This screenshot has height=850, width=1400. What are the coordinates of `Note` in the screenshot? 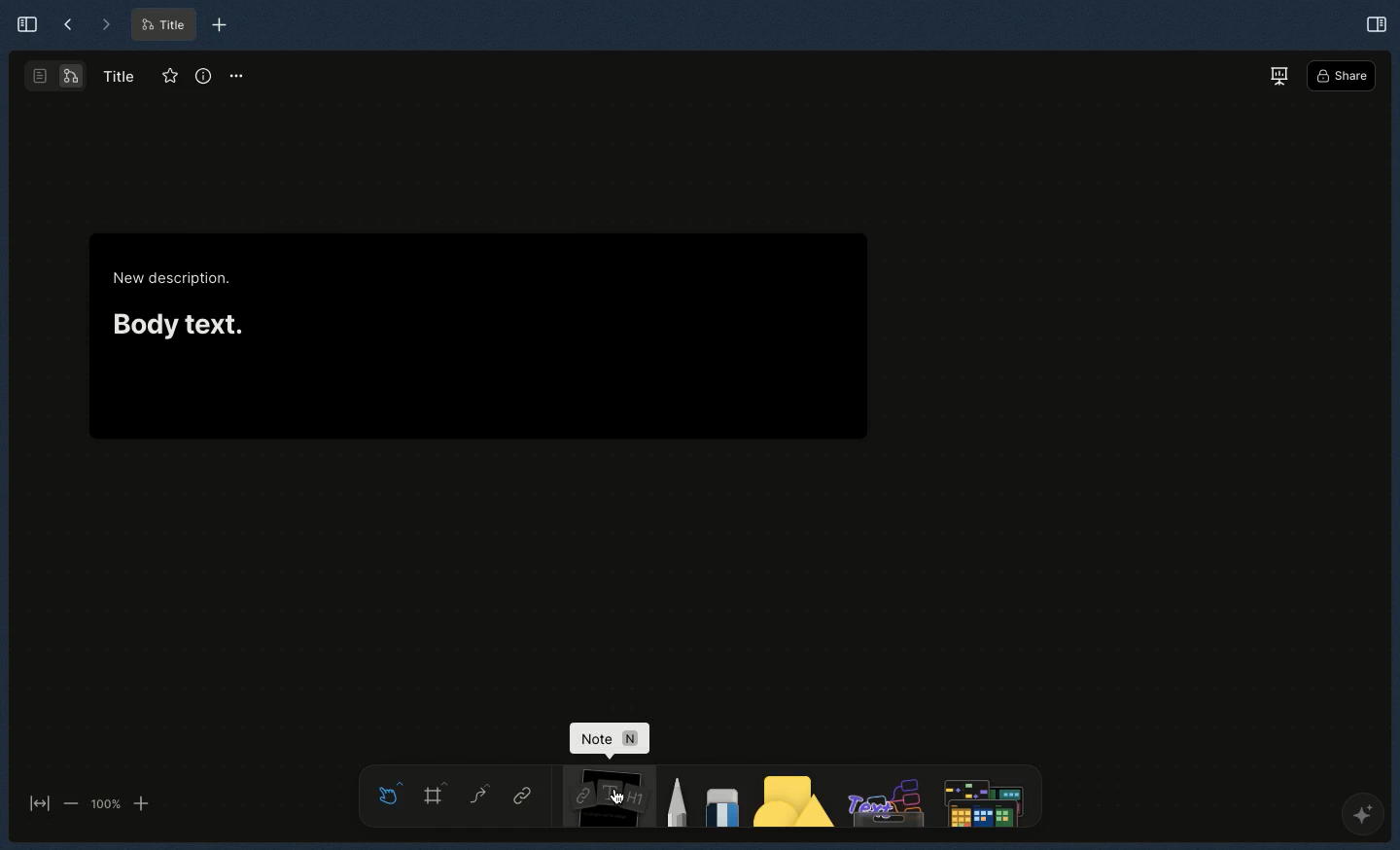 It's located at (602, 797).